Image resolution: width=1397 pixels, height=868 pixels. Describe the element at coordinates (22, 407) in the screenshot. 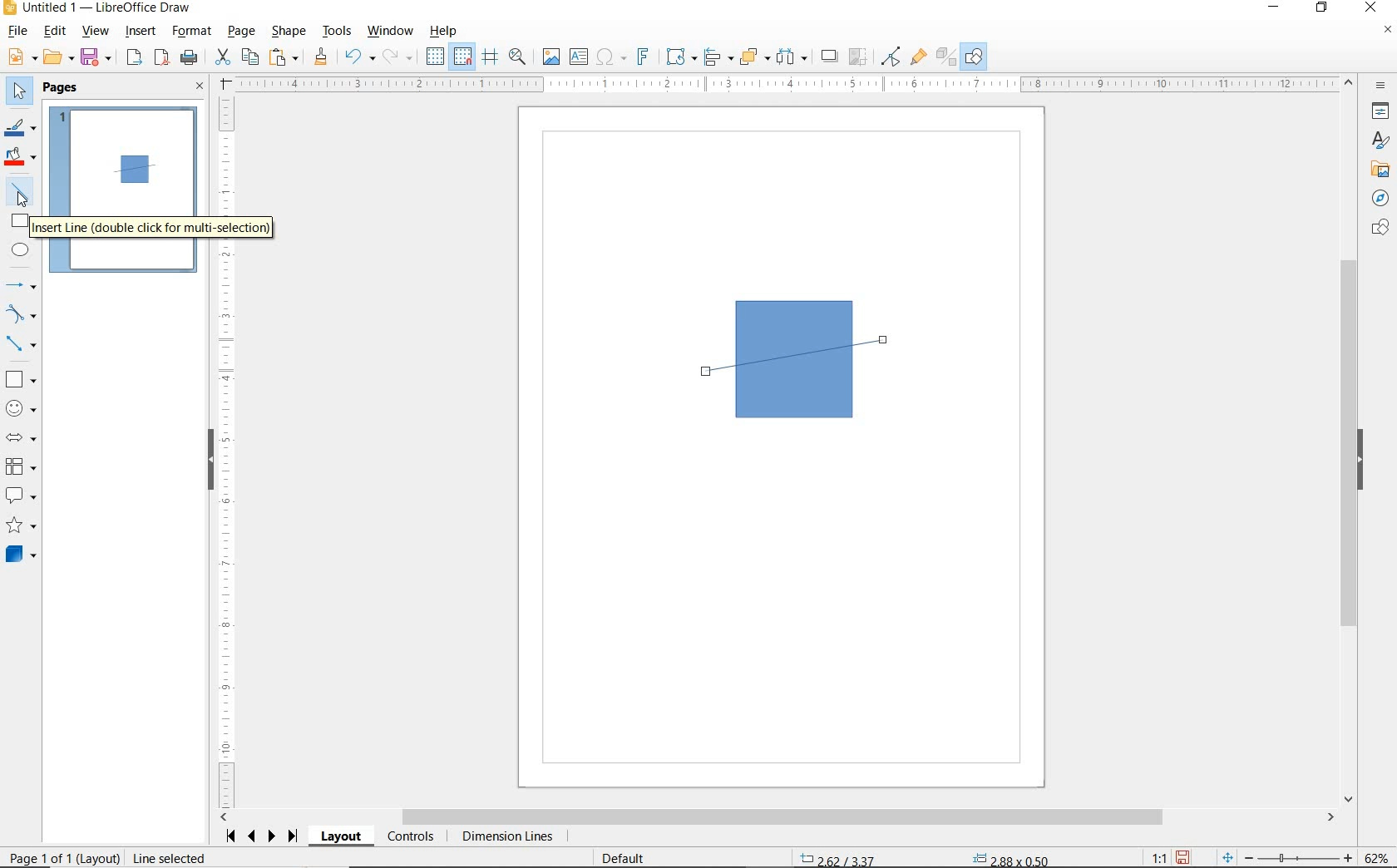

I see `SYMBOL SHAPES` at that location.